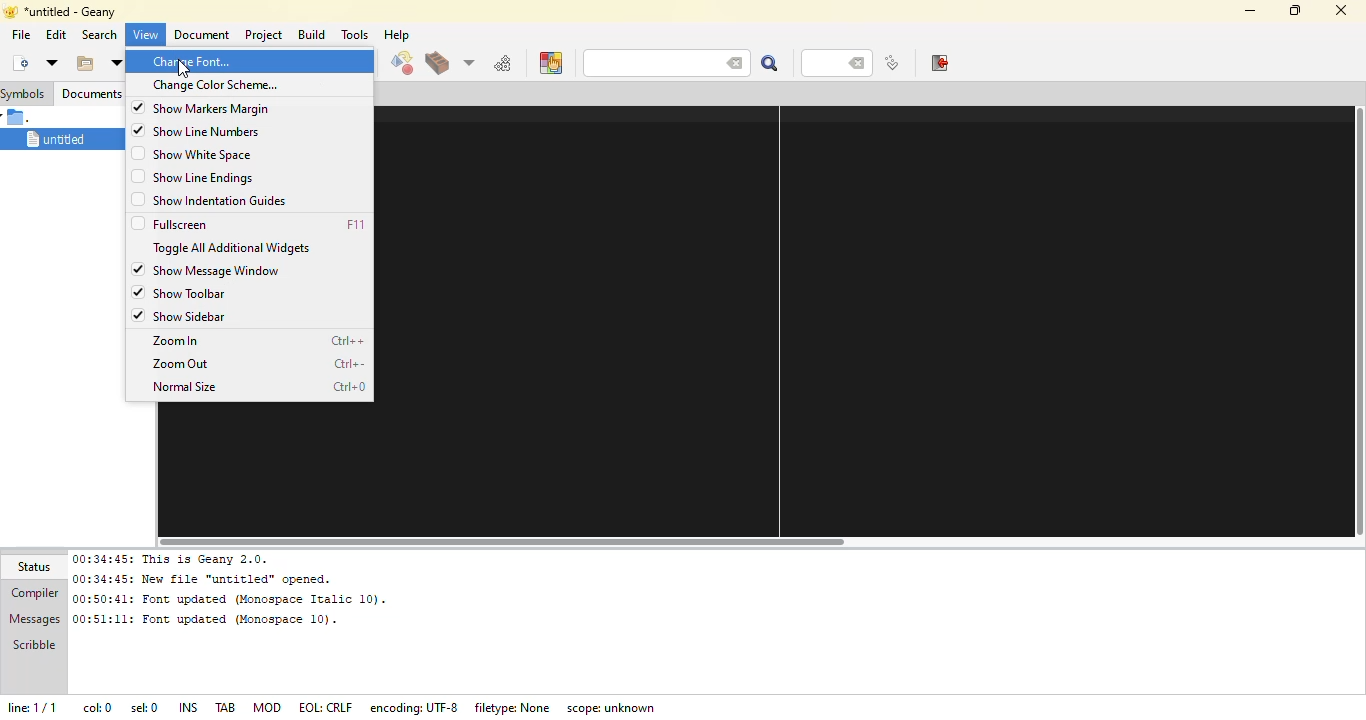 The height and width of the screenshot is (720, 1366). Describe the element at coordinates (20, 34) in the screenshot. I see `file` at that location.